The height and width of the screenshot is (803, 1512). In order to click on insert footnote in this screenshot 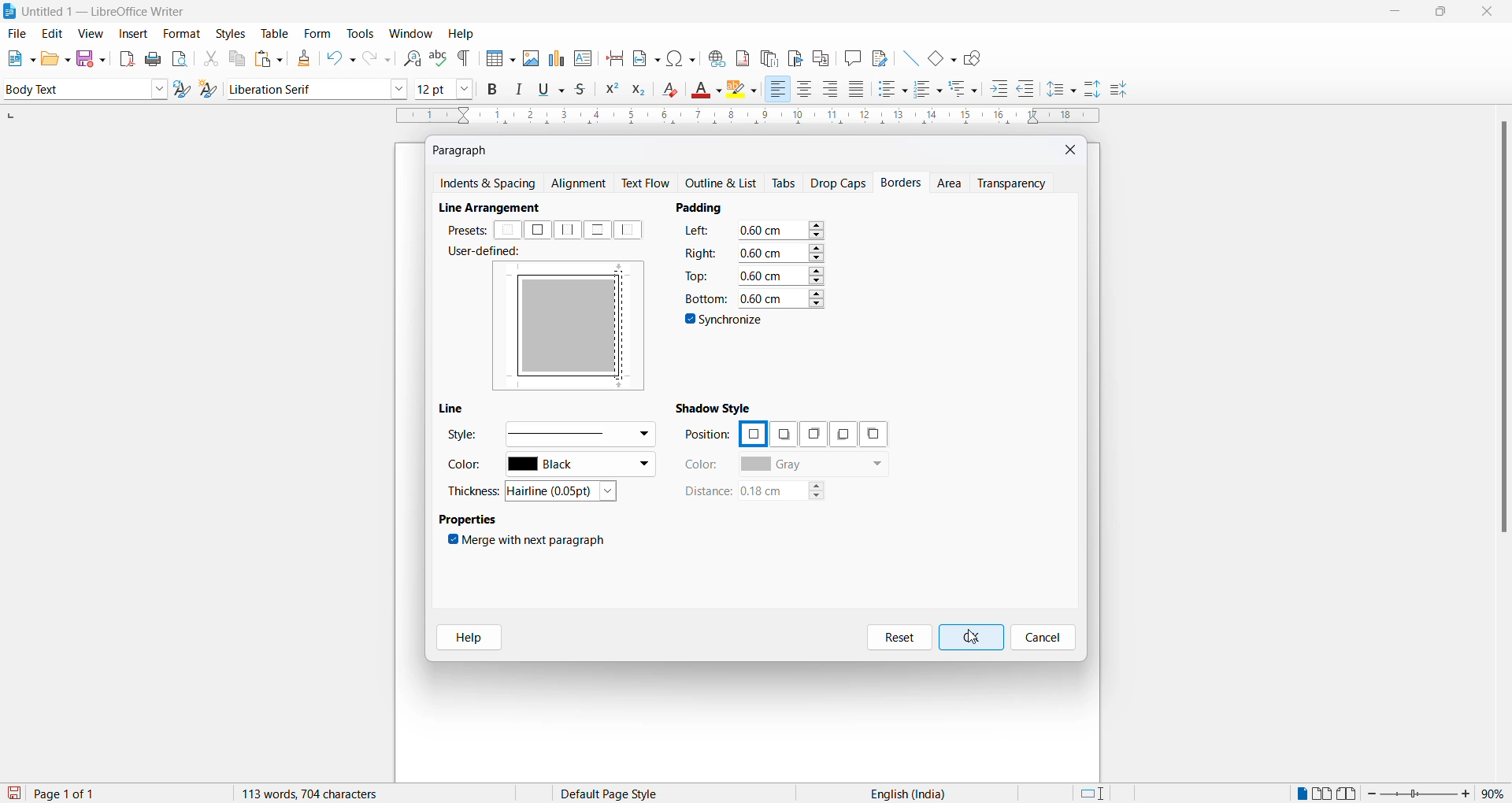, I will do `click(739, 55)`.